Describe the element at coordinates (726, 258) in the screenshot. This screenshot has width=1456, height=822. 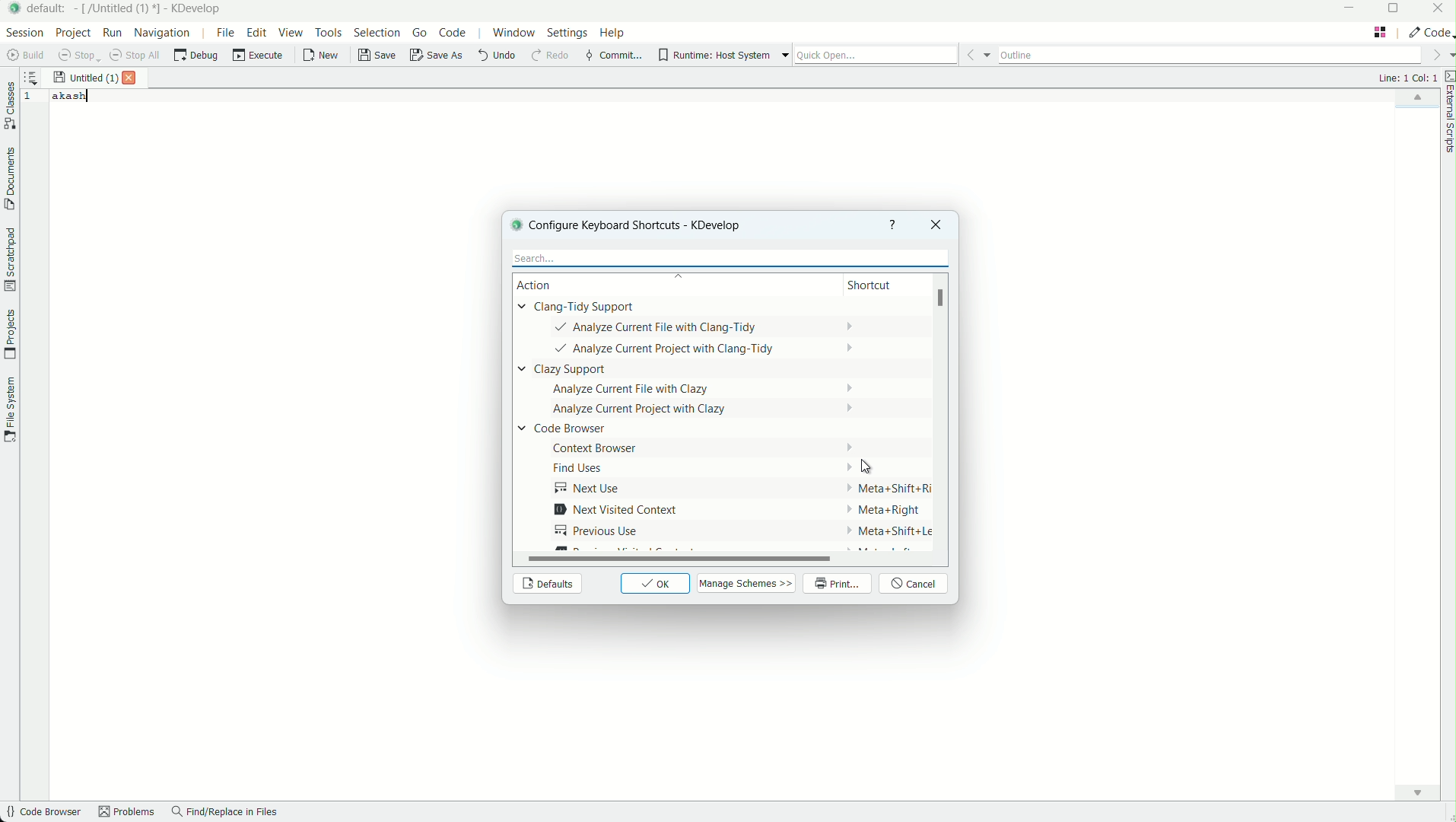
I see `search bar` at that location.